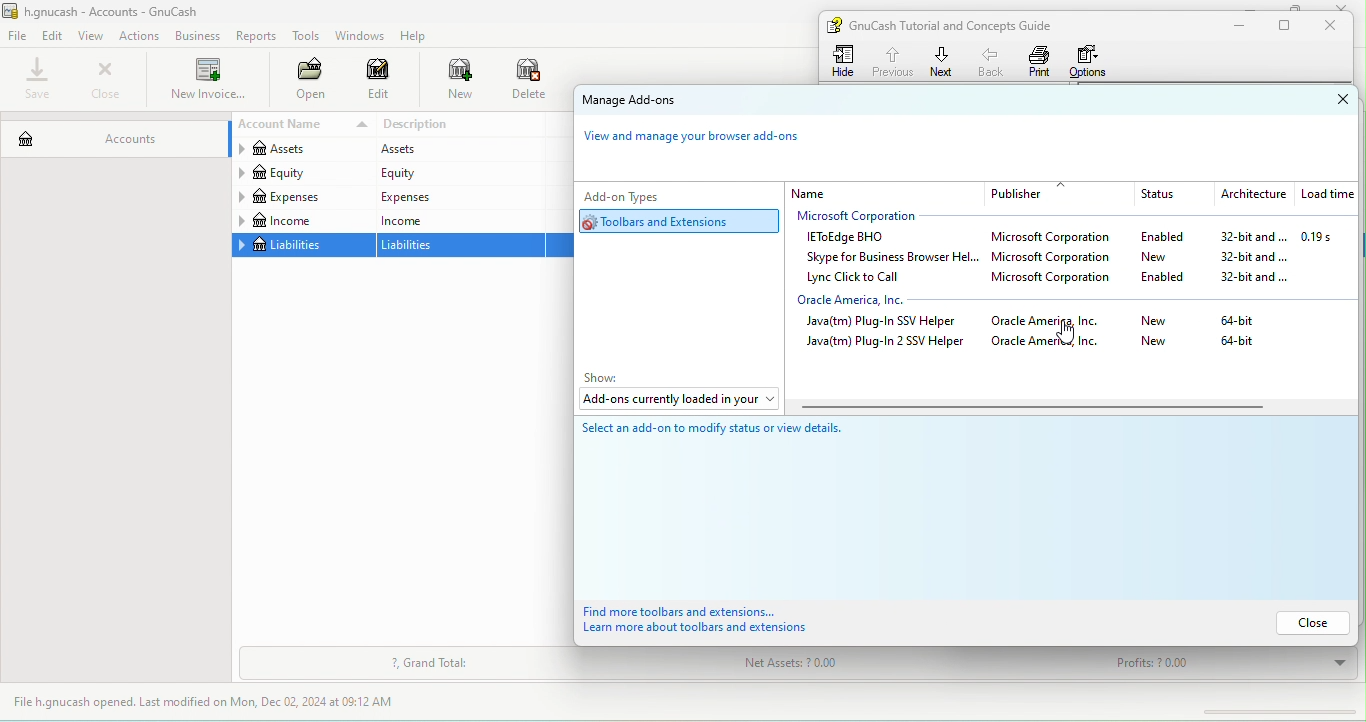 The width and height of the screenshot is (1366, 722). Describe the element at coordinates (993, 61) in the screenshot. I see `back` at that location.